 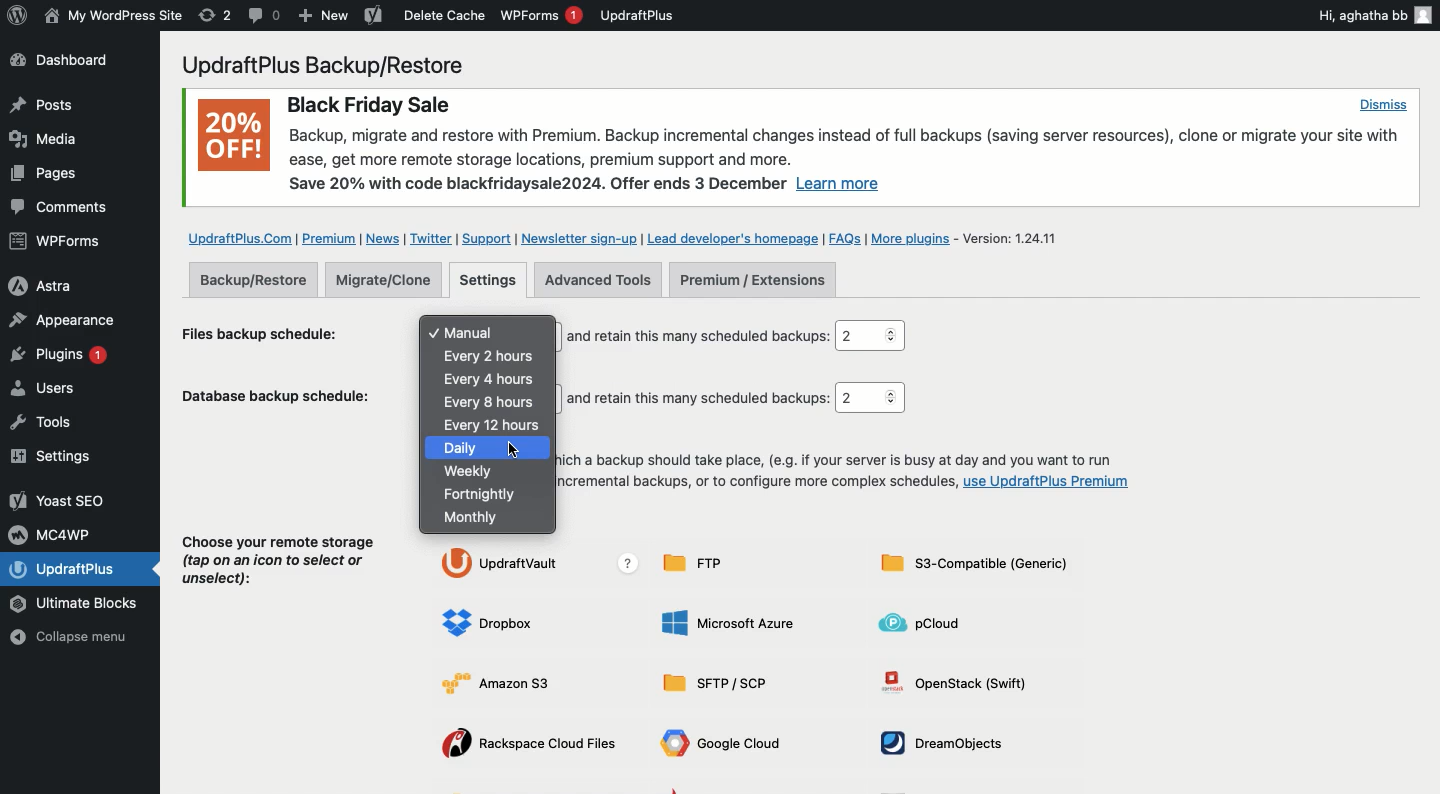 What do you see at coordinates (253, 279) in the screenshot?
I see `Backup restore` at bounding box center [253, 279].